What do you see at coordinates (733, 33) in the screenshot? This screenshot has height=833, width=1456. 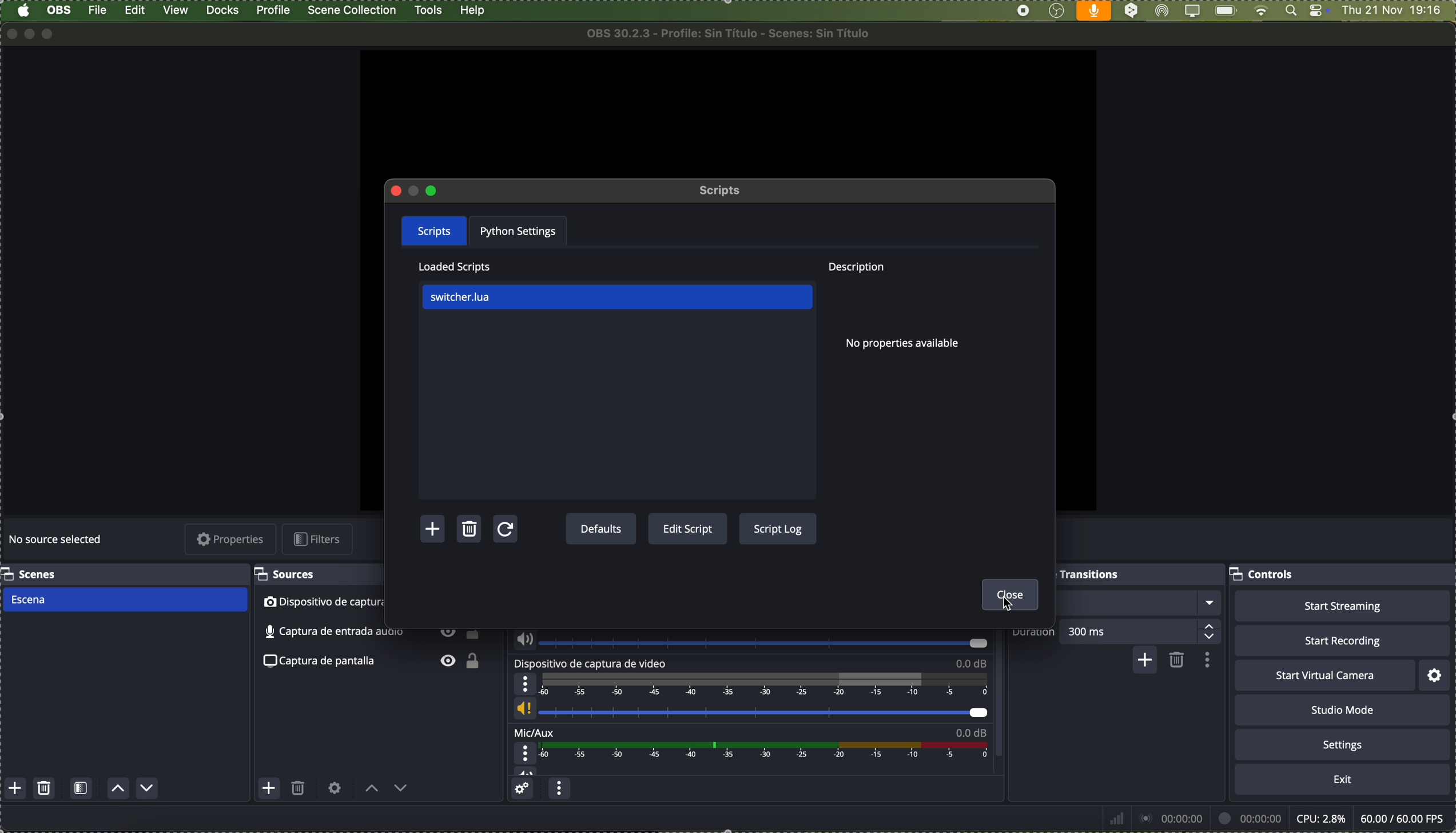 I see `file name` at bounding box center [733, 33].